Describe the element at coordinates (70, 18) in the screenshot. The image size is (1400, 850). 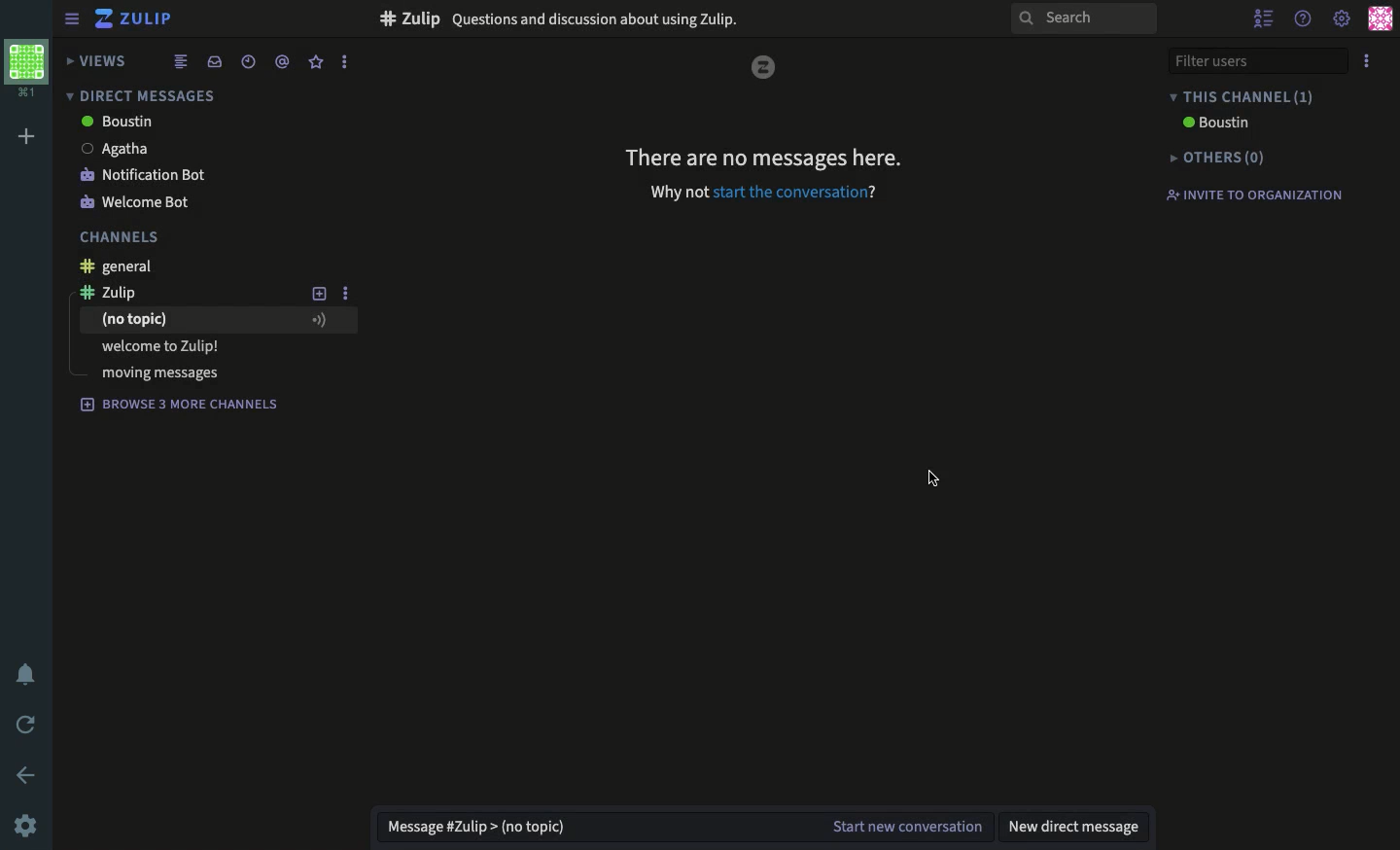
I see `sidebar` at that location.